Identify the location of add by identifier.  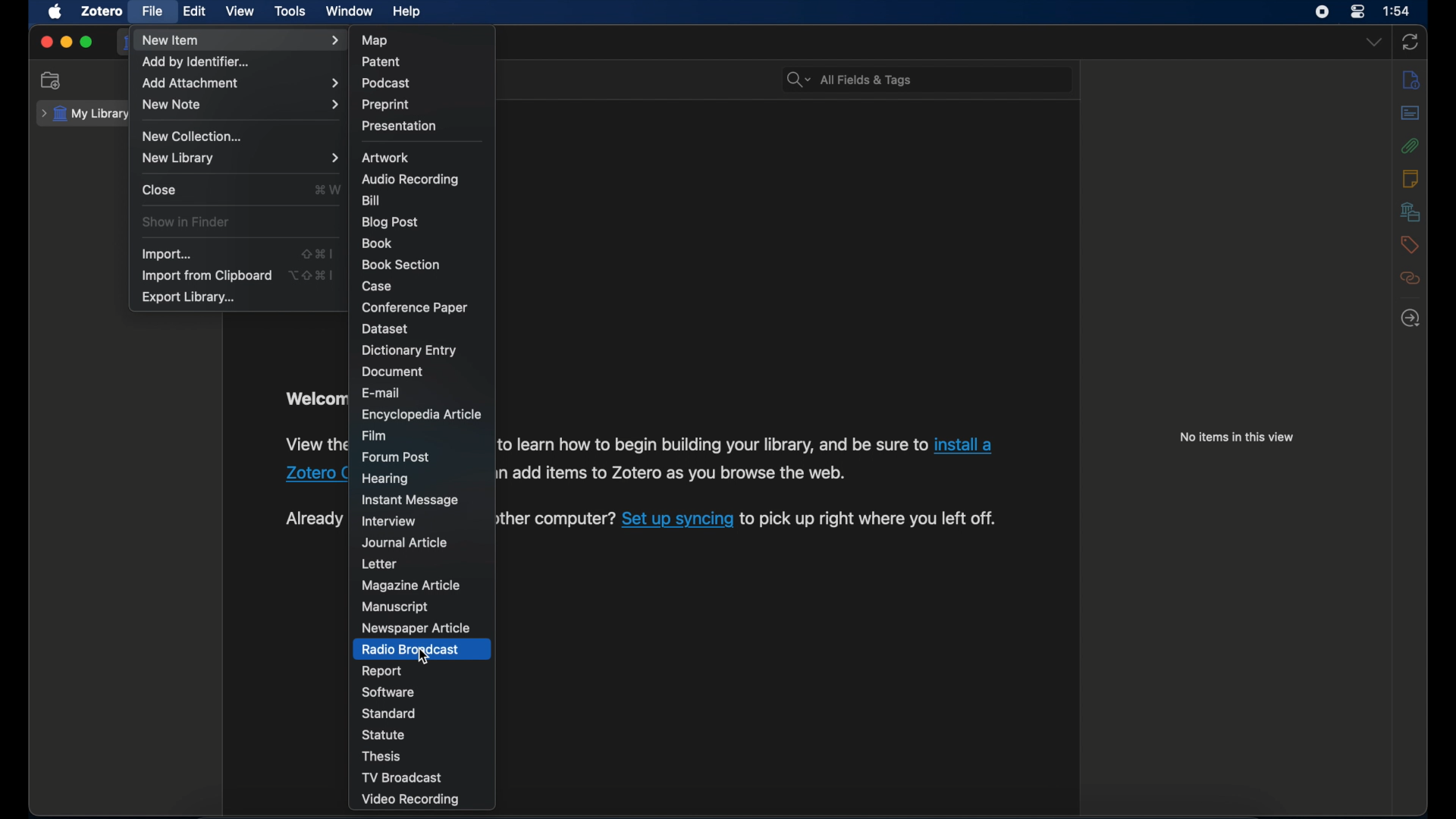
(196, 62).